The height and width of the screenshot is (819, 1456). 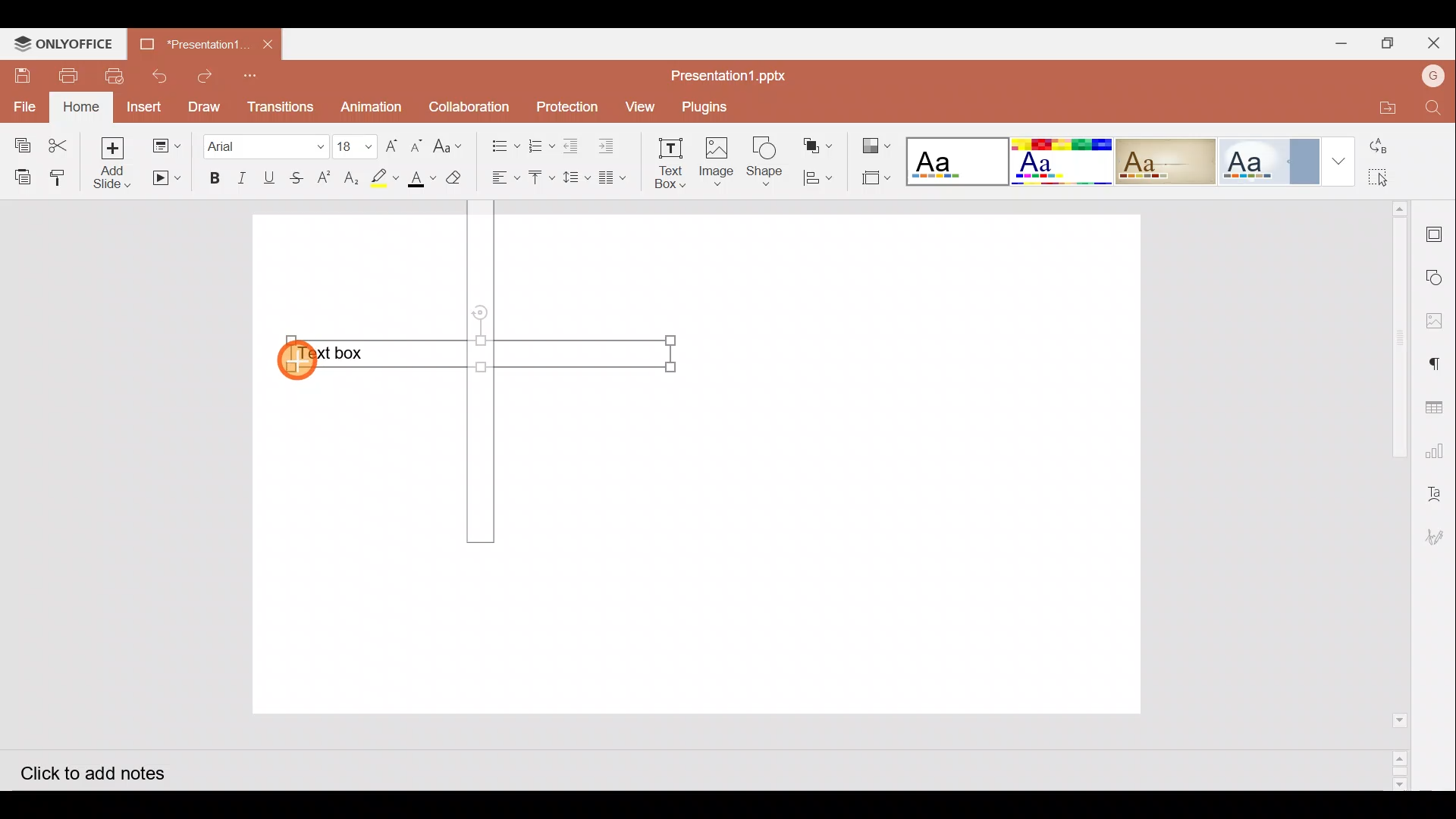 What do you see at coordinates (83, 106) in the screenshot?
I see `Home` at bounding box center [83, 106].